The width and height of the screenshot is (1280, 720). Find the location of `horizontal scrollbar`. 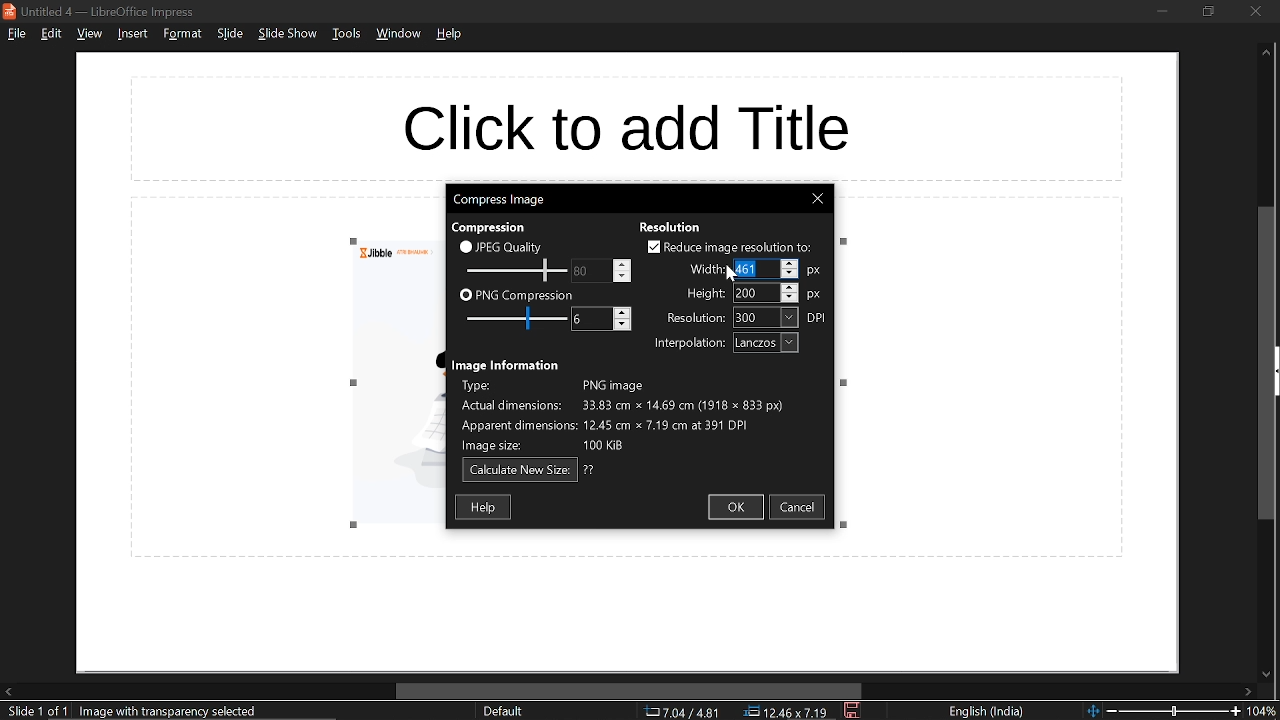

horizontal scrollbar is located at coordinates (625, 690).